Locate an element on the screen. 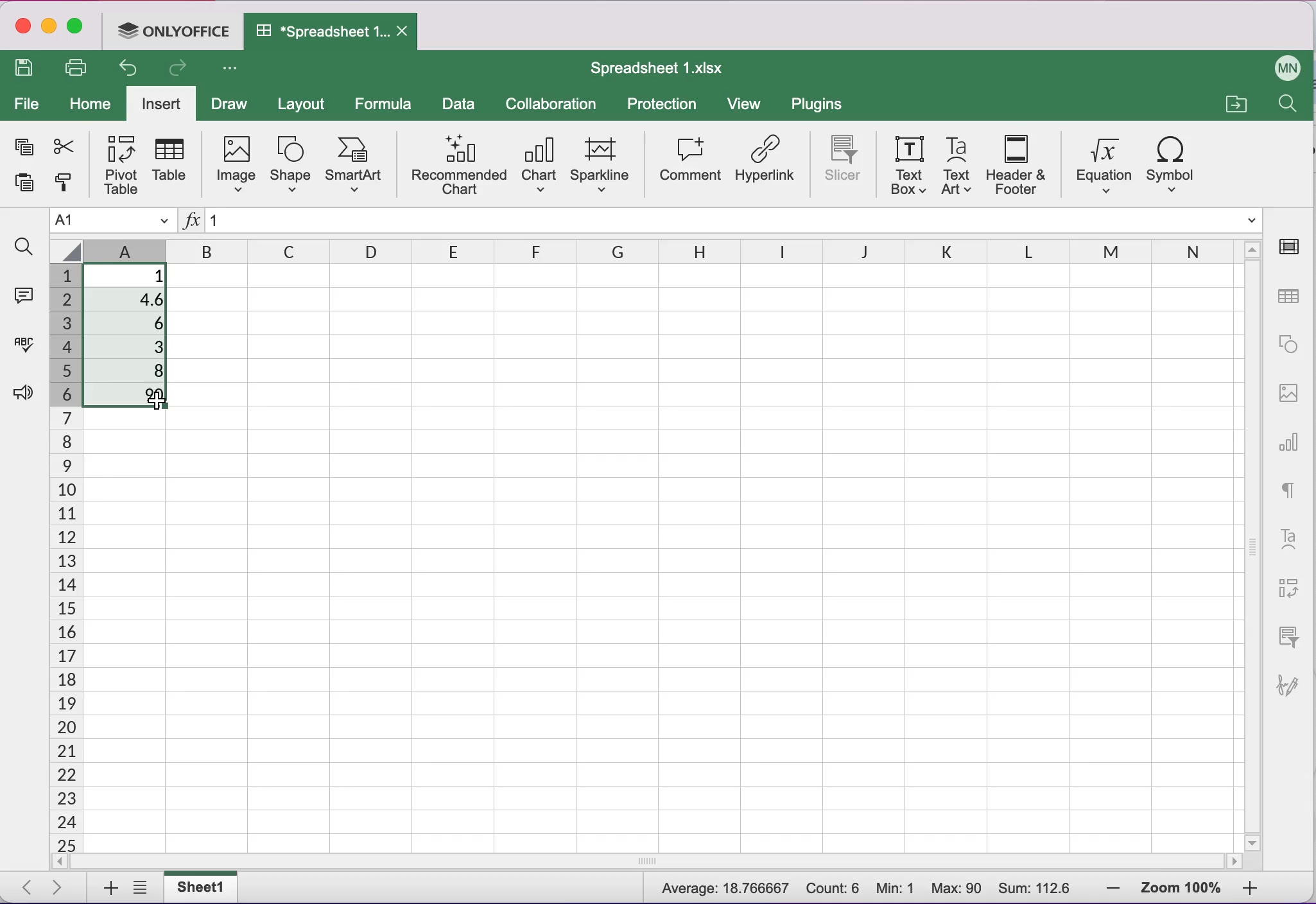 The image size is (1316, 904). Min: 1 is located at coordinates (897, 888).